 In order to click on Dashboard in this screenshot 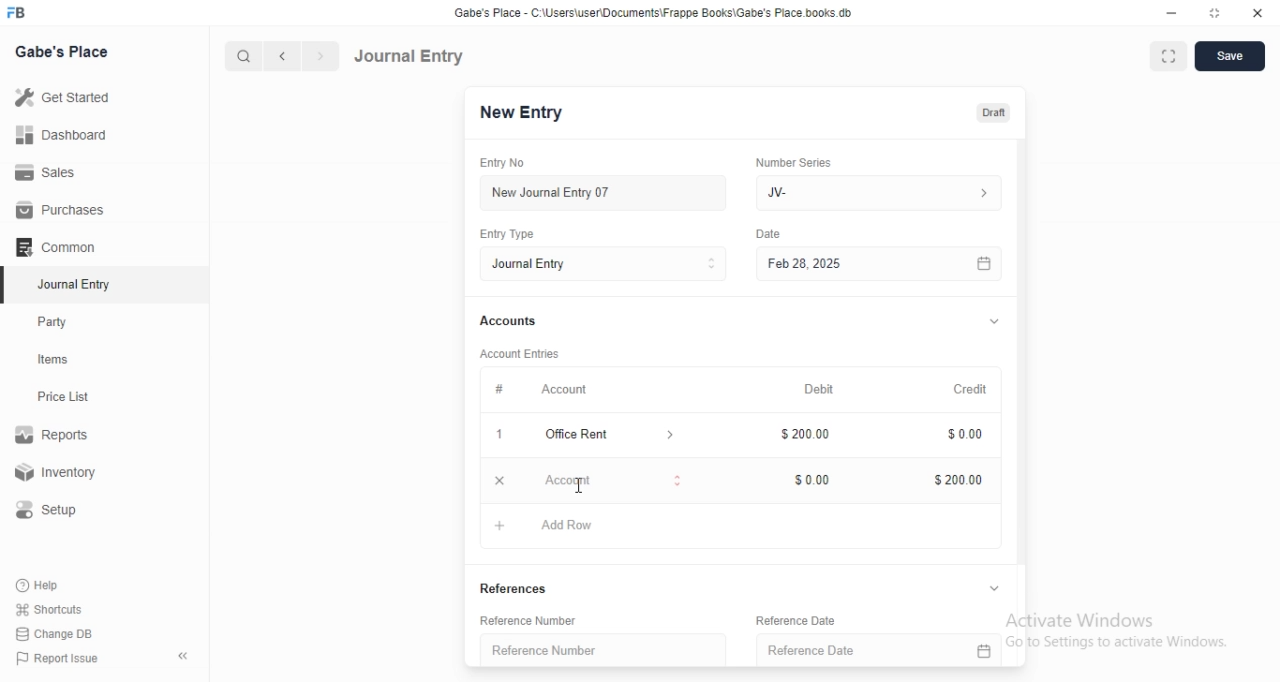, I will do `click(59, 135)`.